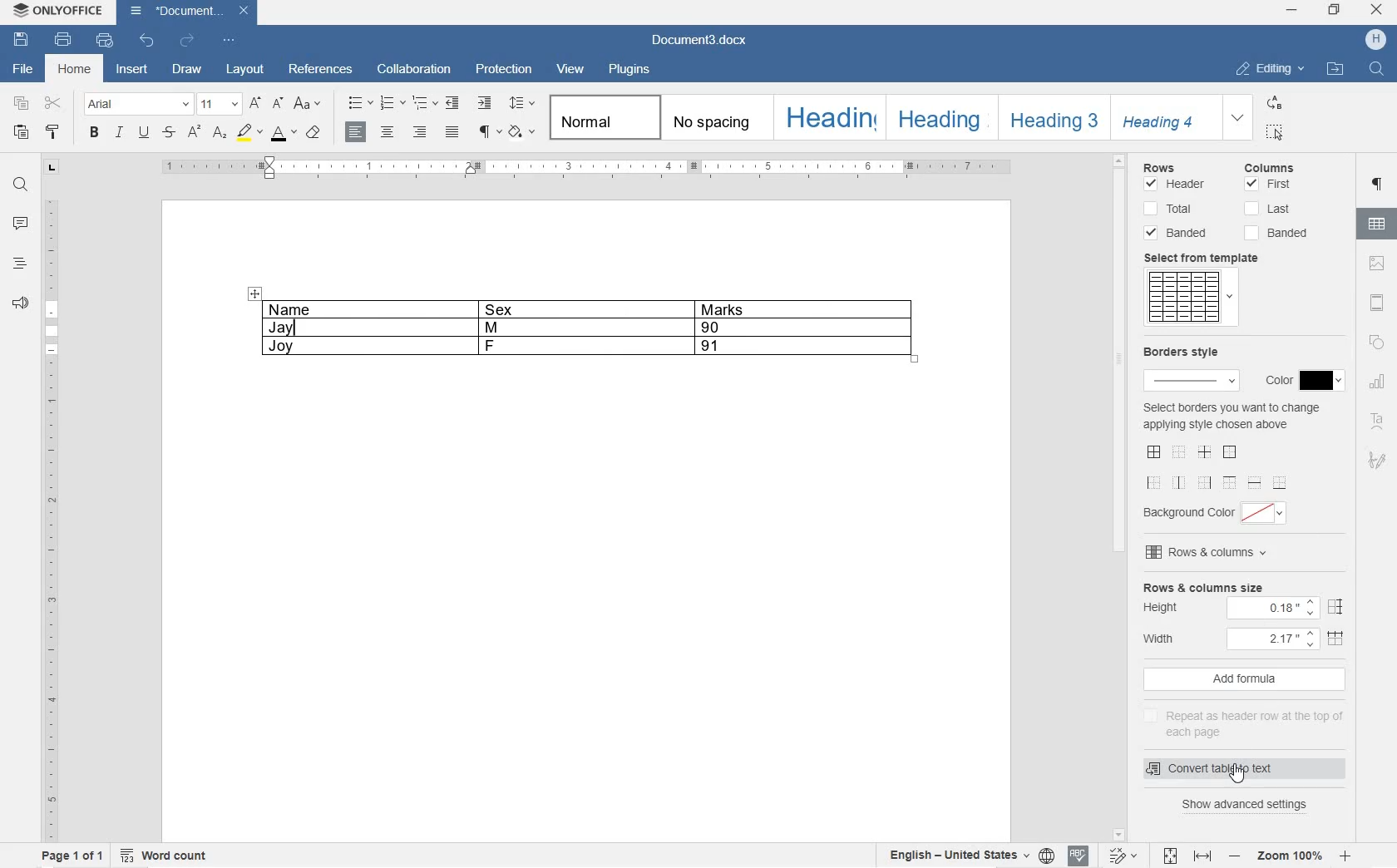  Describe the element at coordinates (1292, 8) in the screenshot. I see `MINIMIZE` at that location.